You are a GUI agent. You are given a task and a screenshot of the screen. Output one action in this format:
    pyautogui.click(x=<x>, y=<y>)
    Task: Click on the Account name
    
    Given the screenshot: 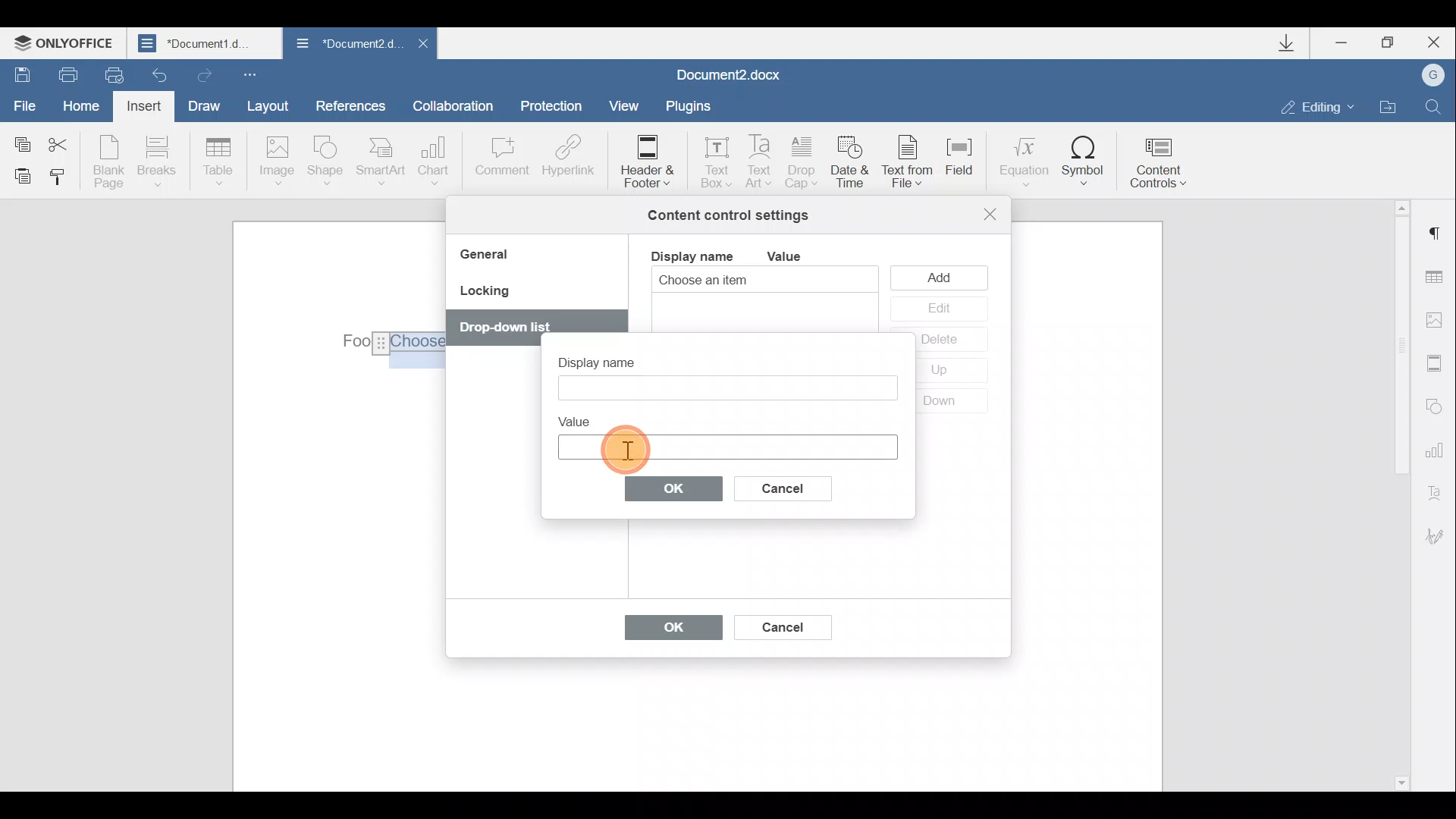 What is the action you would take?
    pyautogui.click(x=1428, y=76)
    